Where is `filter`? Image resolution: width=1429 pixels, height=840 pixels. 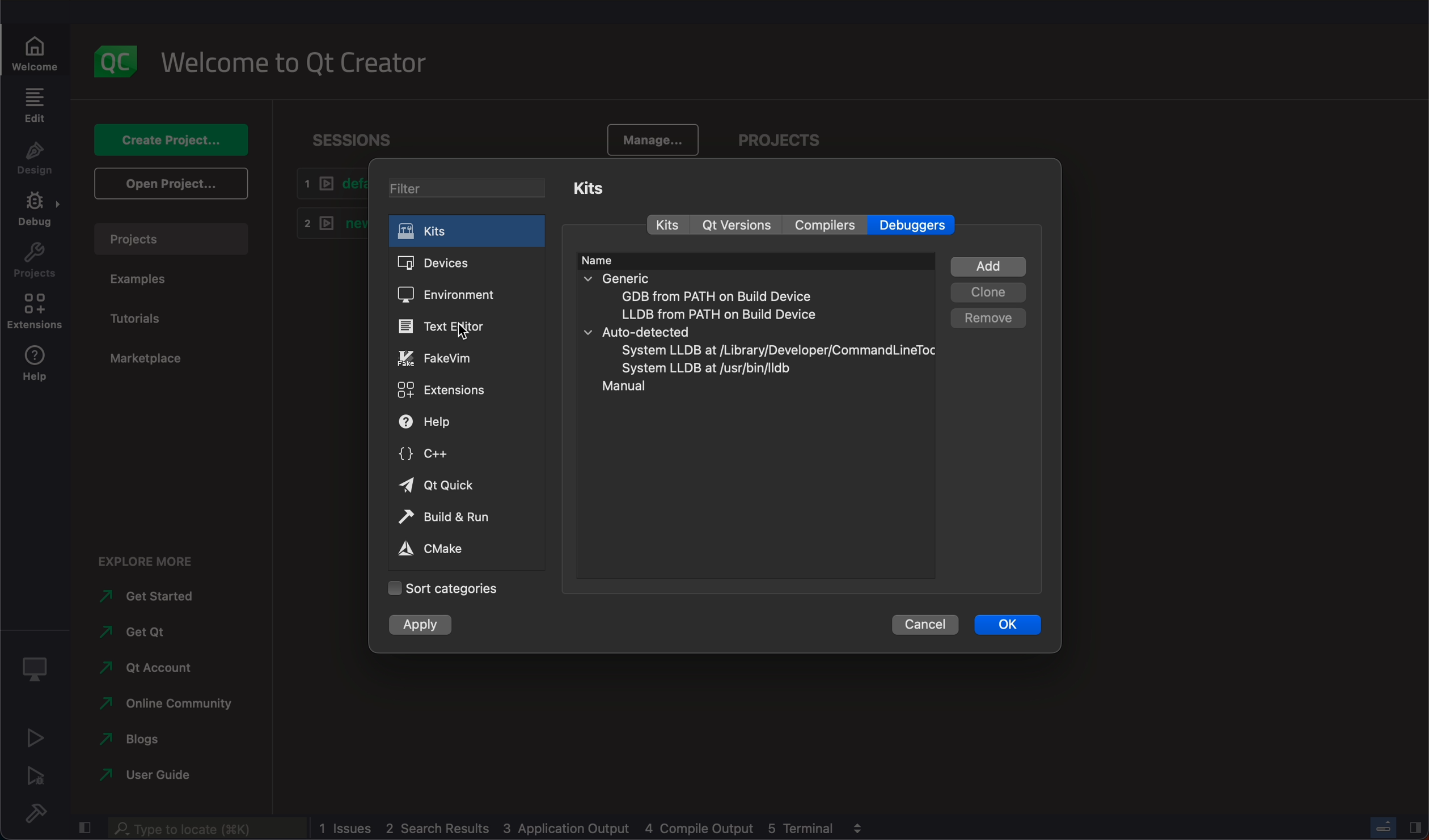 filter is located at coordinates (475, 190).